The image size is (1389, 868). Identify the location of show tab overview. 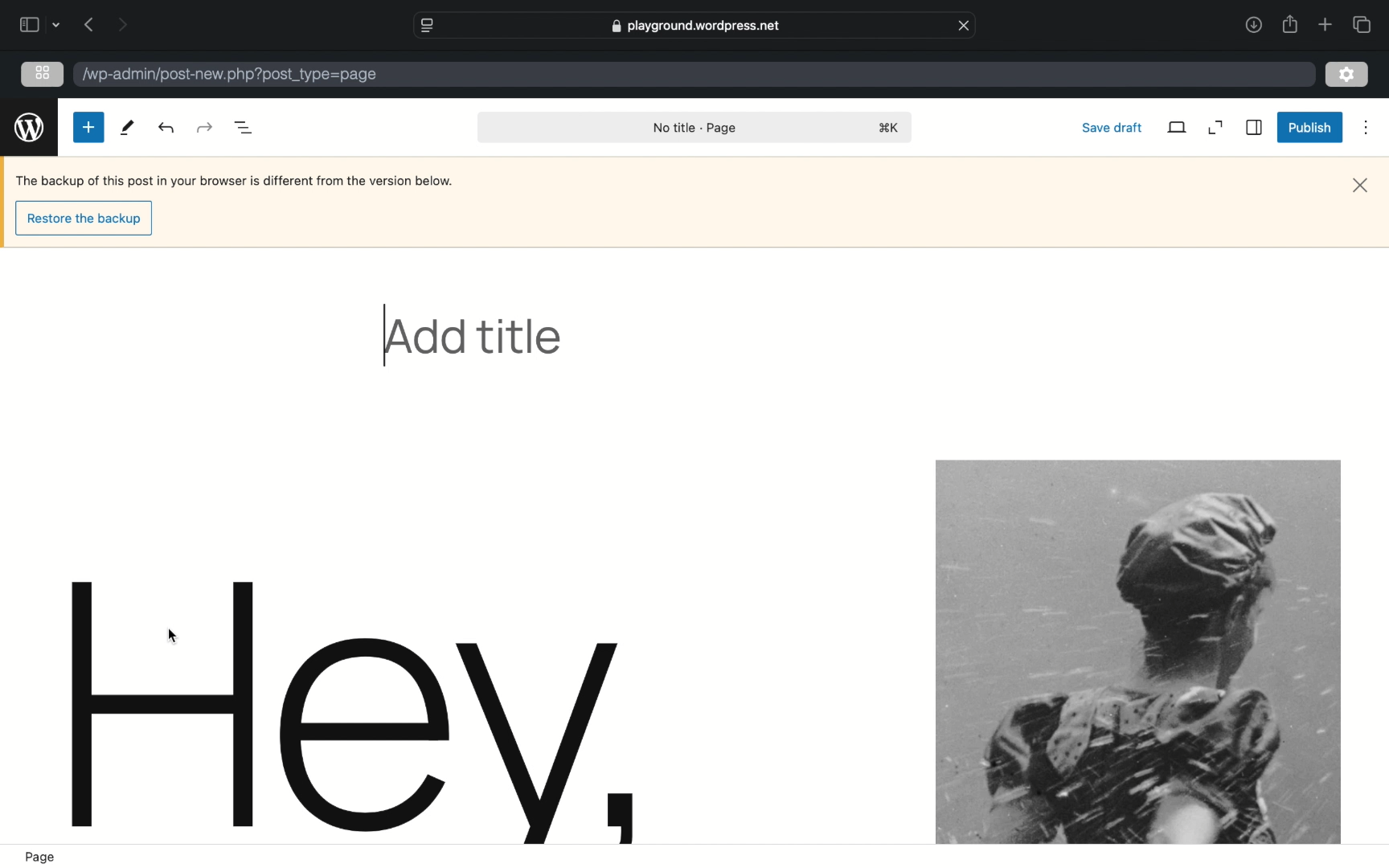
(1364, 24).